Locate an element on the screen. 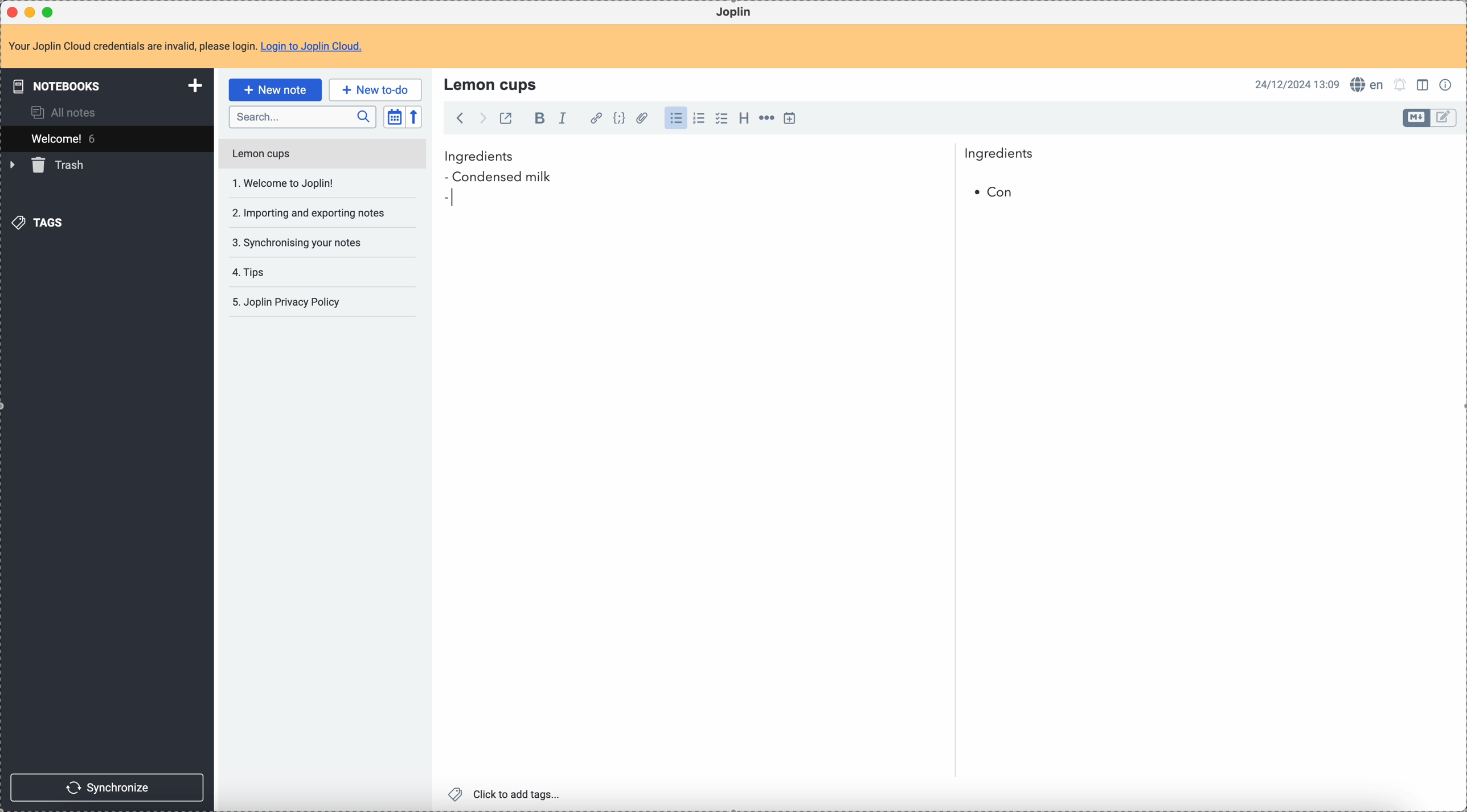 The height and width of the screenshot is (812, 1467). insert time is located at coordinates (789, 118).